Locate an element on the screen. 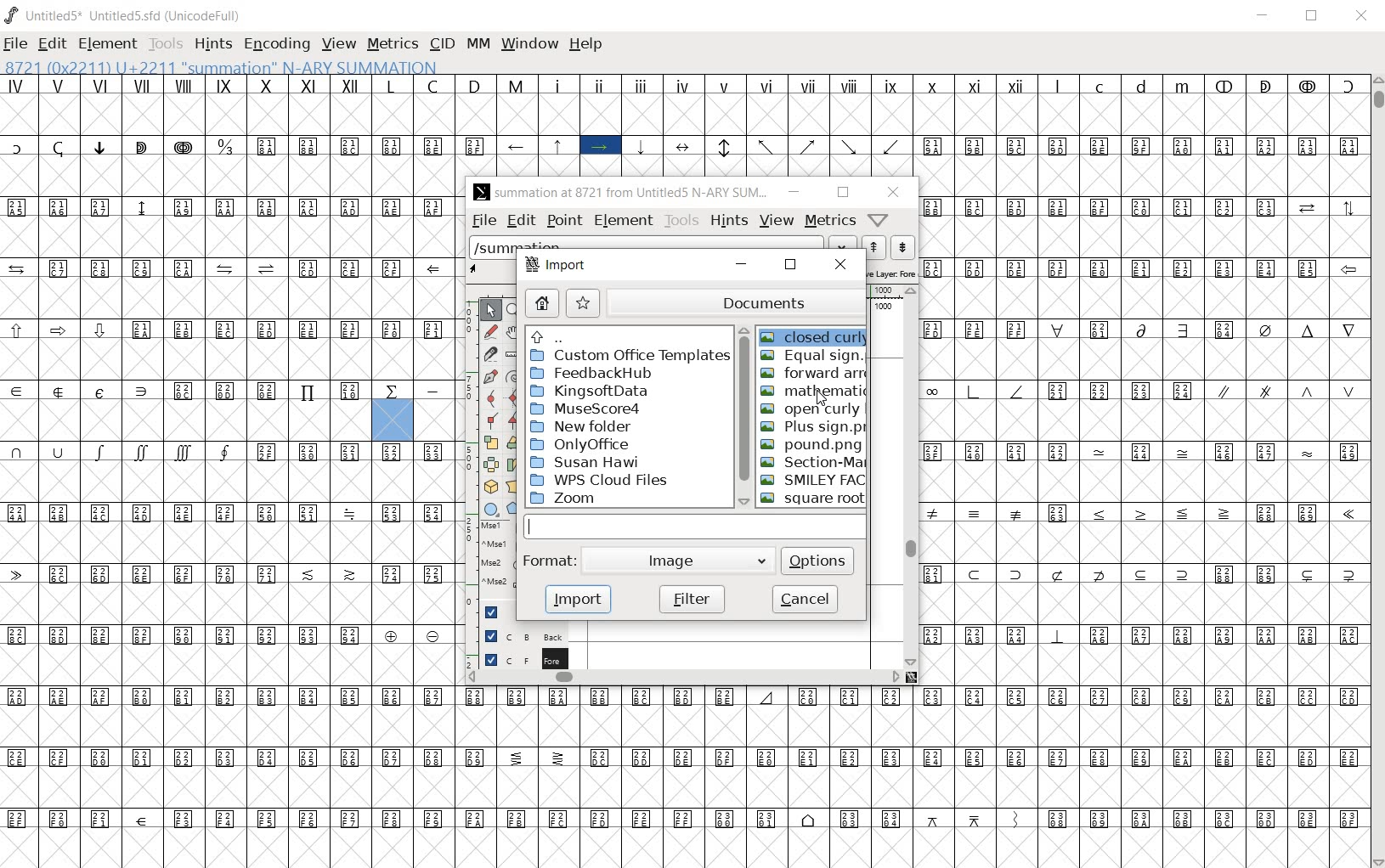  Image is located at coordinates (685, 560).